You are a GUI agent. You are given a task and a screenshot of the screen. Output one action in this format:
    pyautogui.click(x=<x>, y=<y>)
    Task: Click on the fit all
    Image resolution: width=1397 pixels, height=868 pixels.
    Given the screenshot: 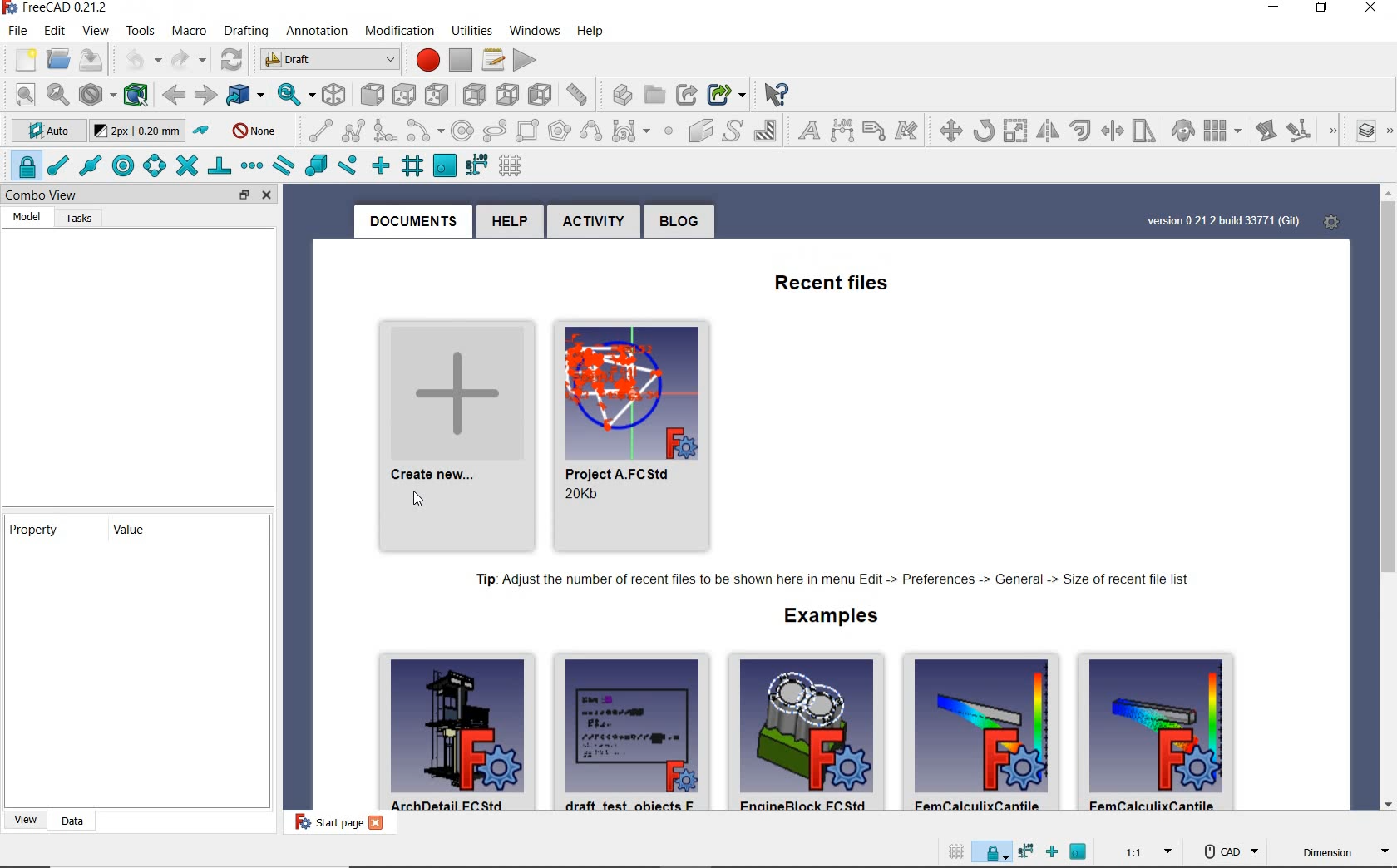 What is the action you would take?
    pyautogui.click(x=20, y=95)
    